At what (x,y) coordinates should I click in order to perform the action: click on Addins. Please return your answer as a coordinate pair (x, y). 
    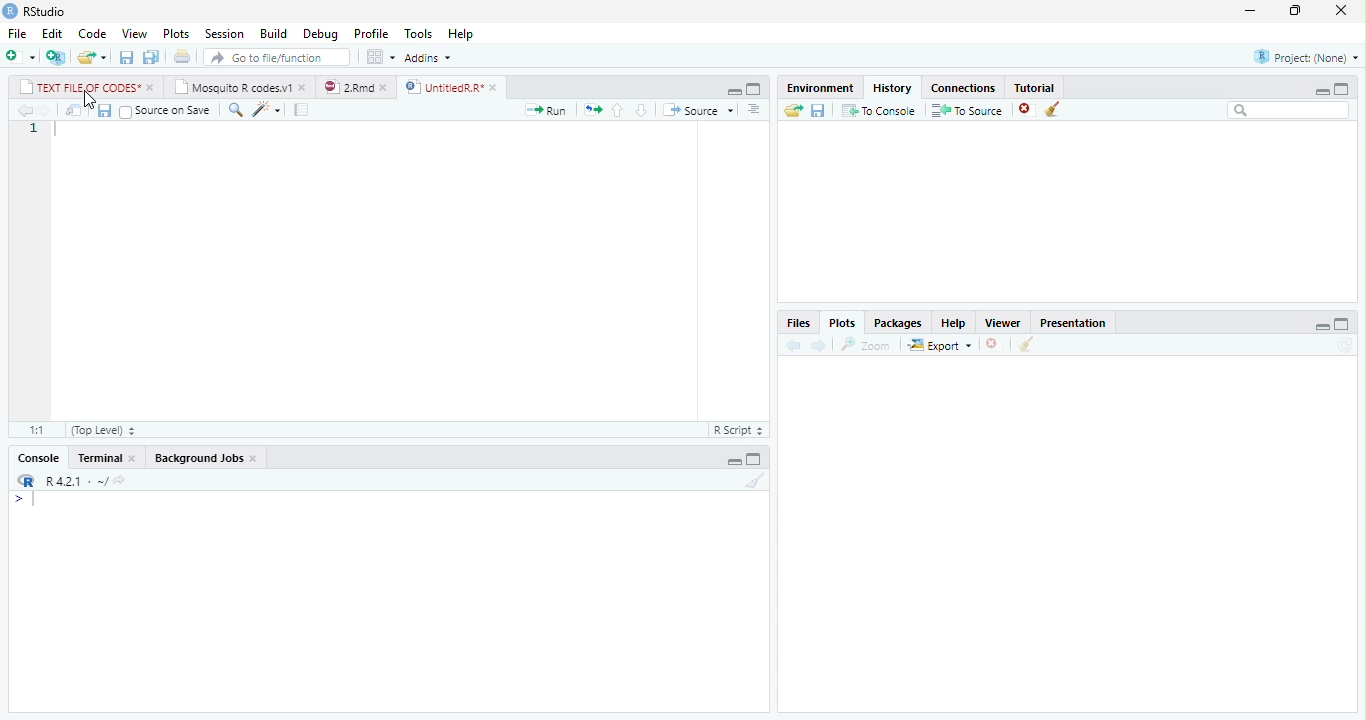
    Looking at the image, I should click on (428, 58).